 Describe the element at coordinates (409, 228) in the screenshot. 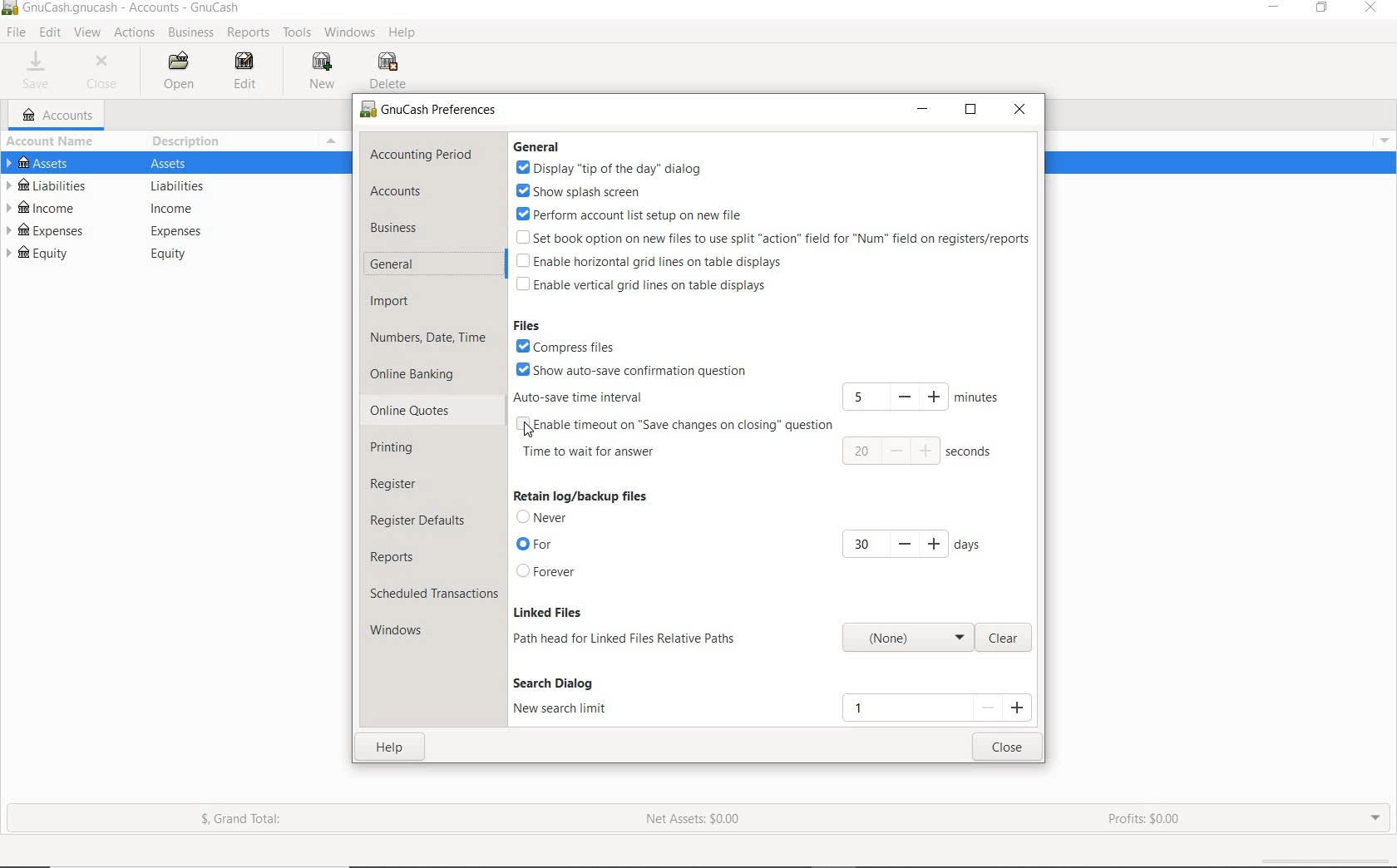

I see `BUSINESS` at that location.